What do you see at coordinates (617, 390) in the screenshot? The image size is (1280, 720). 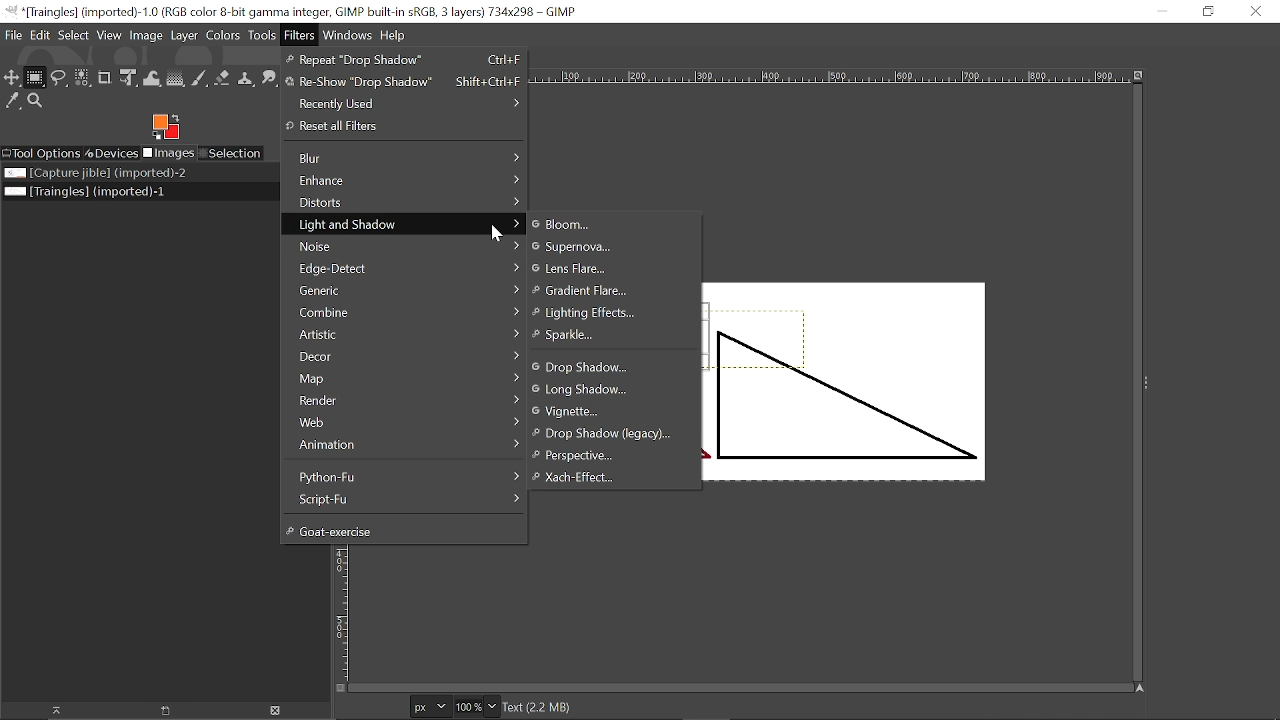 I see `Long shadow` at bounding box center [617, 390].